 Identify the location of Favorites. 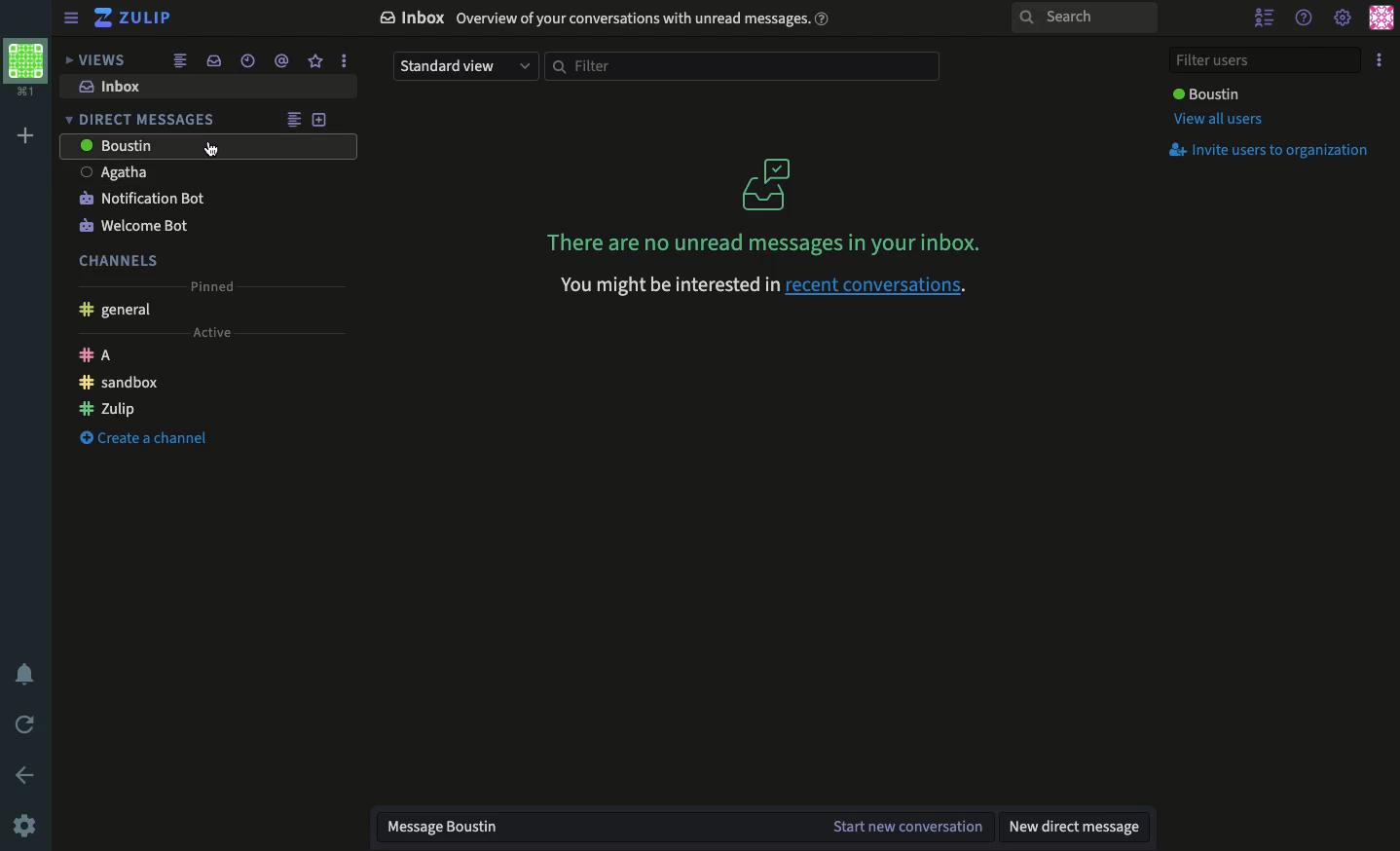
(316, 61).